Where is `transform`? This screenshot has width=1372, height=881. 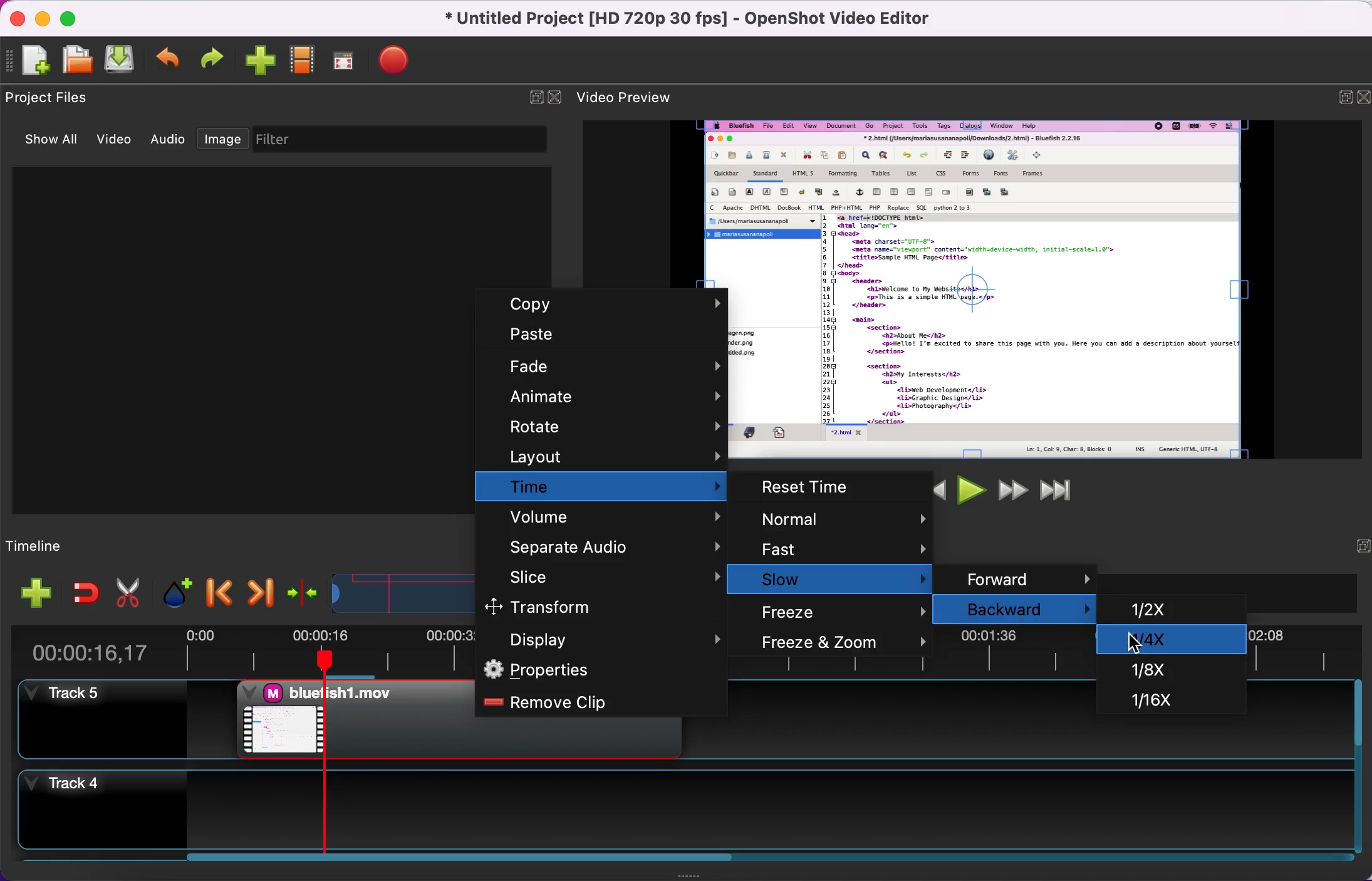
transform is located at coordinates (589, 607).